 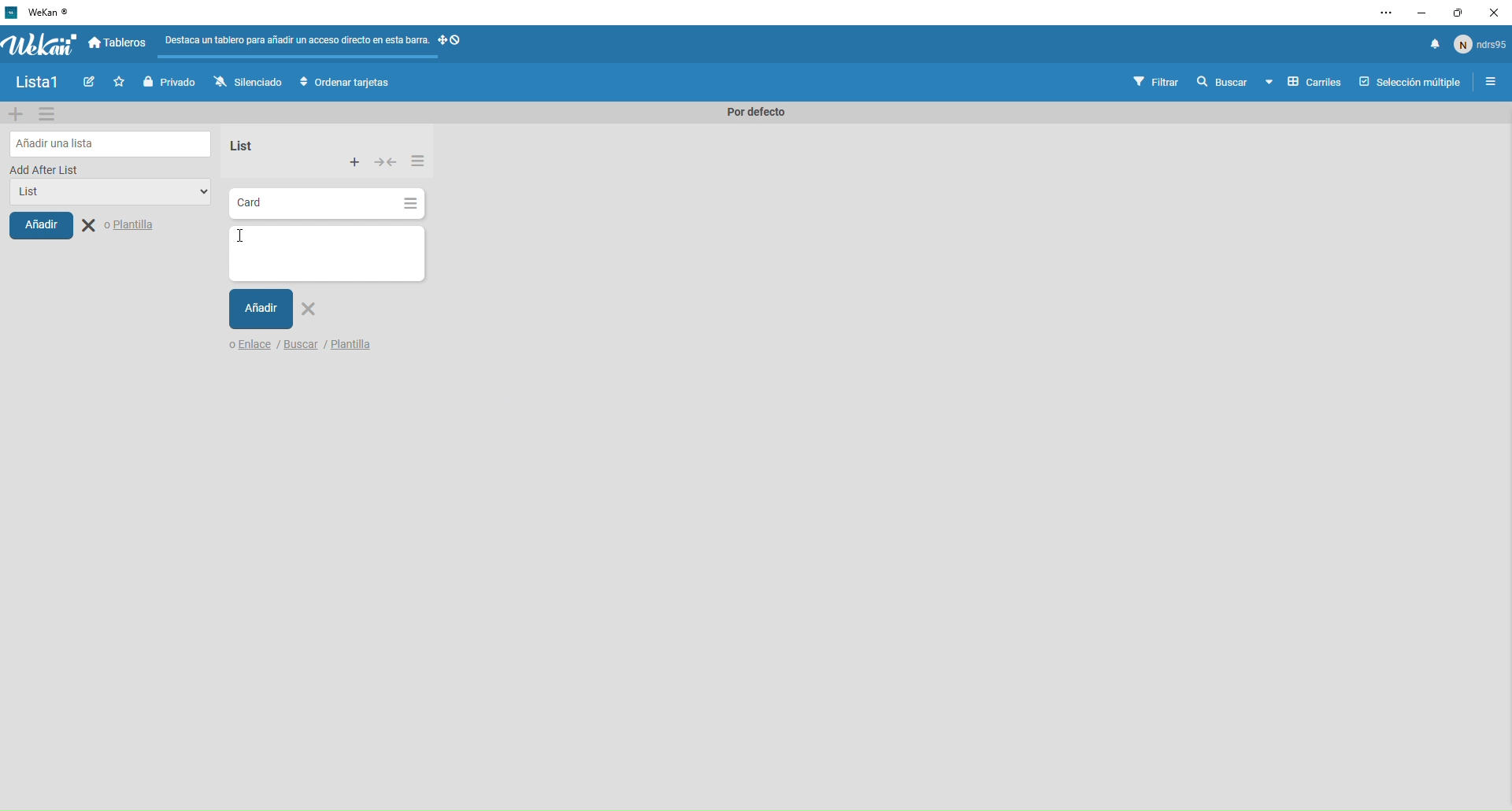 I want to click on Add a list, so click(x=112, y=143).